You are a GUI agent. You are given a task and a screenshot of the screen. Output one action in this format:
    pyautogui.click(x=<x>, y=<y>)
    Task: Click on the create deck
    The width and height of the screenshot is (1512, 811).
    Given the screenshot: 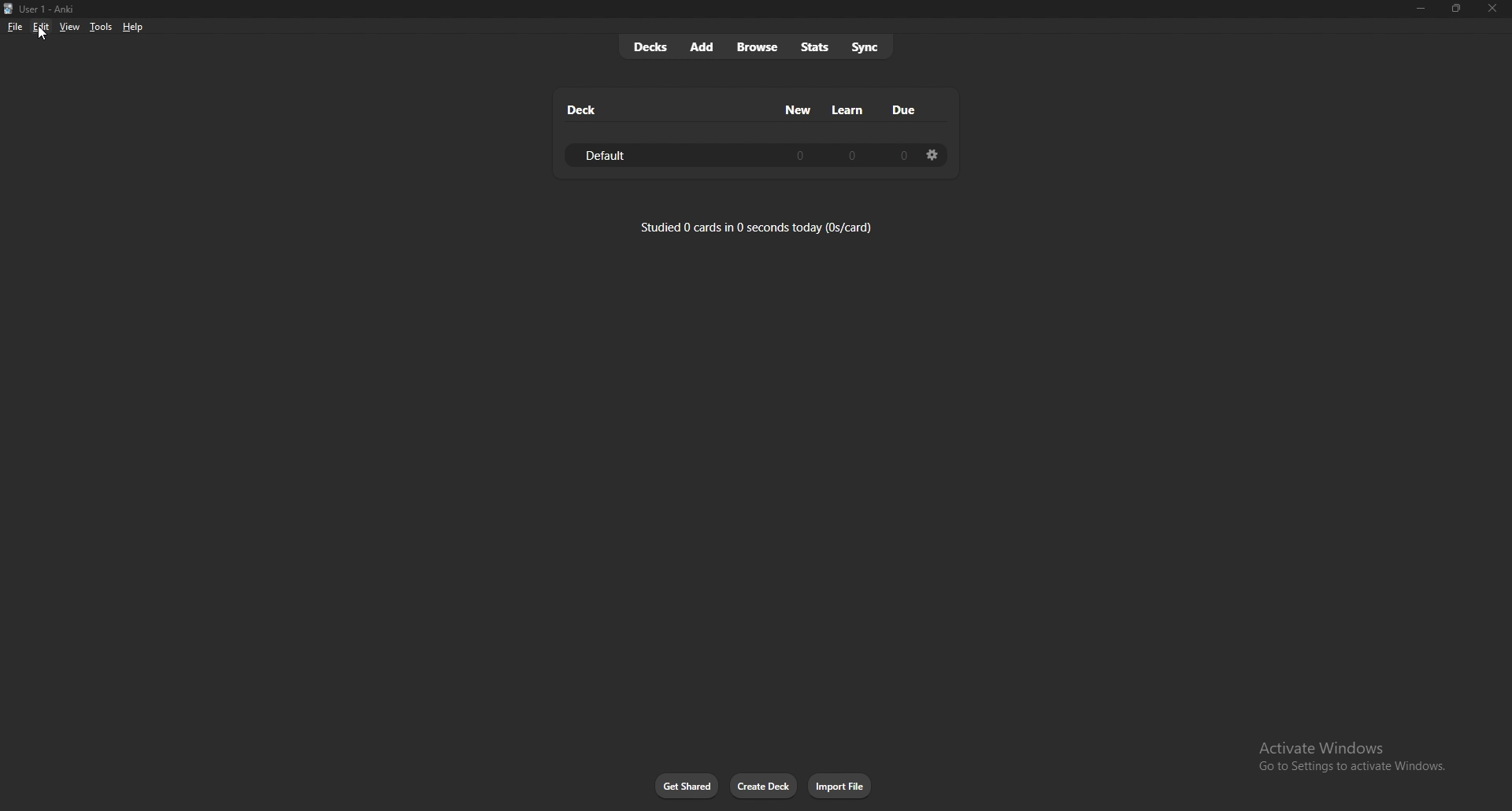 What is the action you would take?
    pyautogui.click(x=765, y=787)
    